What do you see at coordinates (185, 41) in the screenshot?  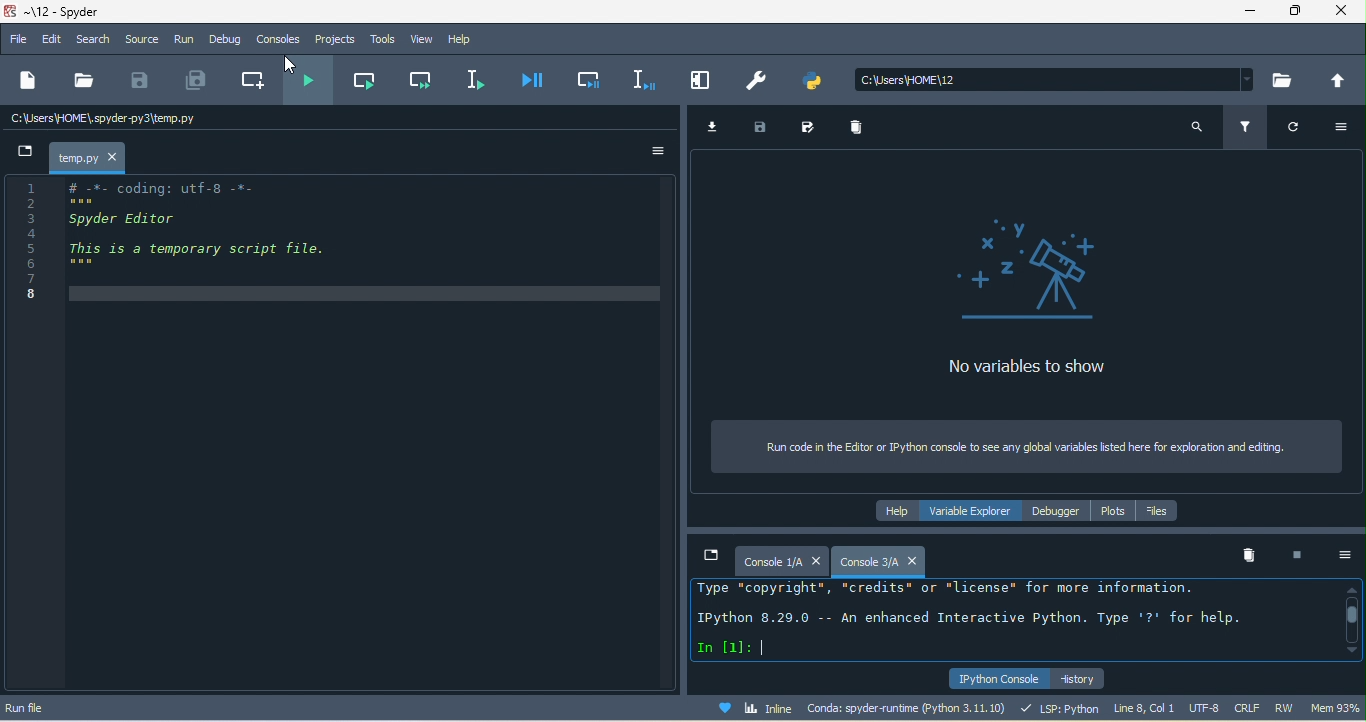 I see `run` at bounding box center [185, 41].